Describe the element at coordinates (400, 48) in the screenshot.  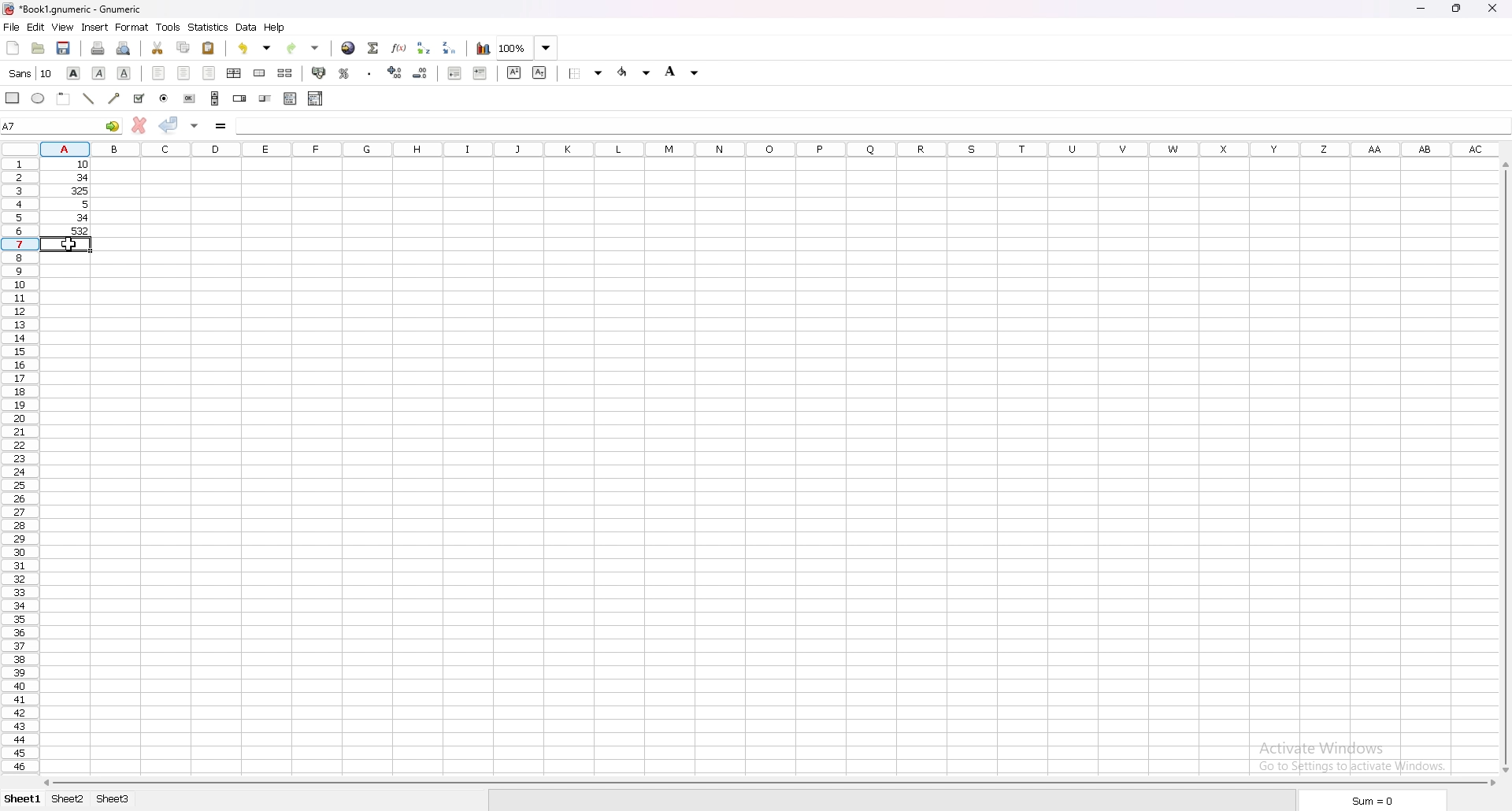
I see `function` at that location.